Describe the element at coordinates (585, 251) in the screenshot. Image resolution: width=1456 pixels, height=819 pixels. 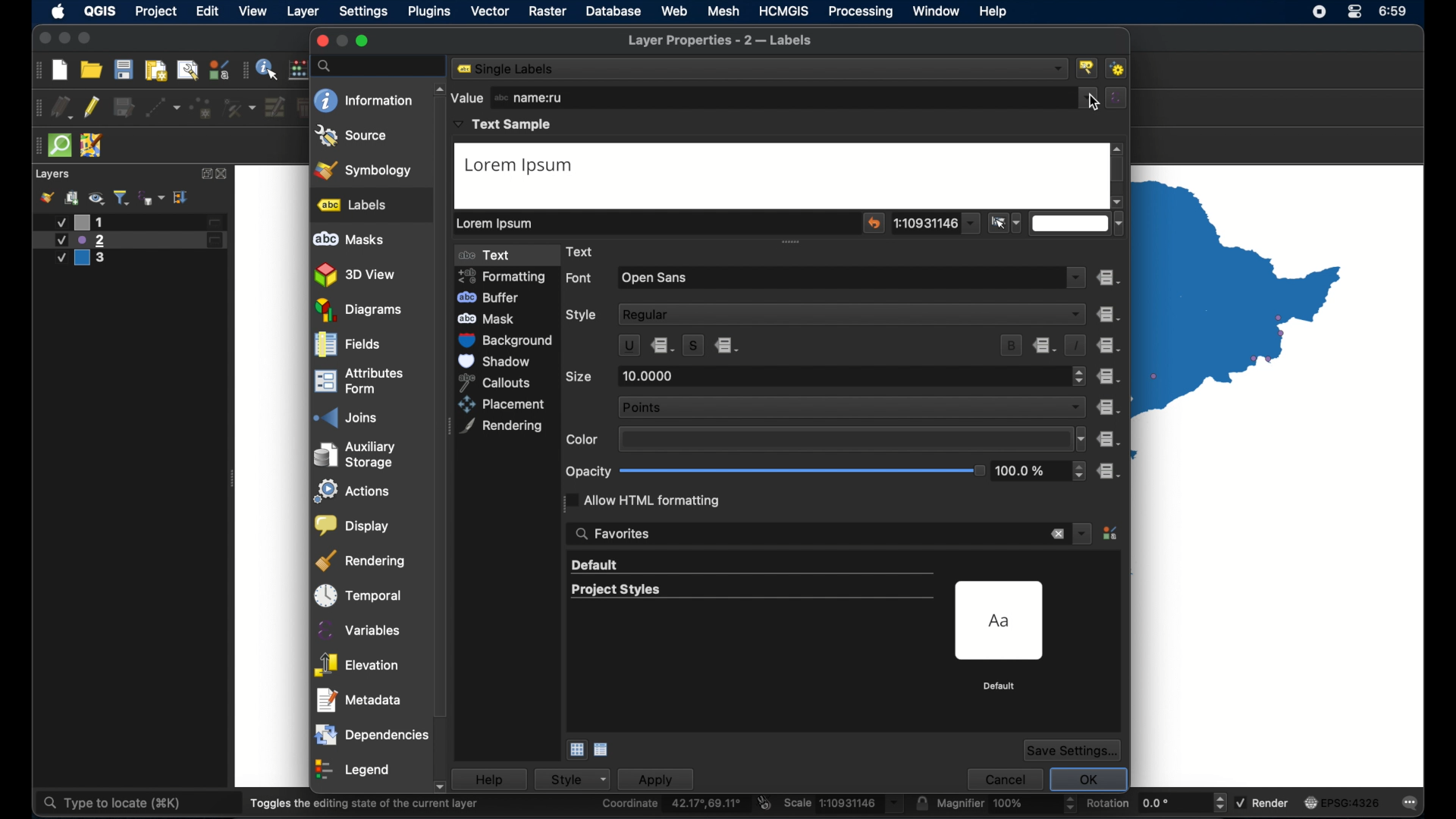
I see `text` at that location.